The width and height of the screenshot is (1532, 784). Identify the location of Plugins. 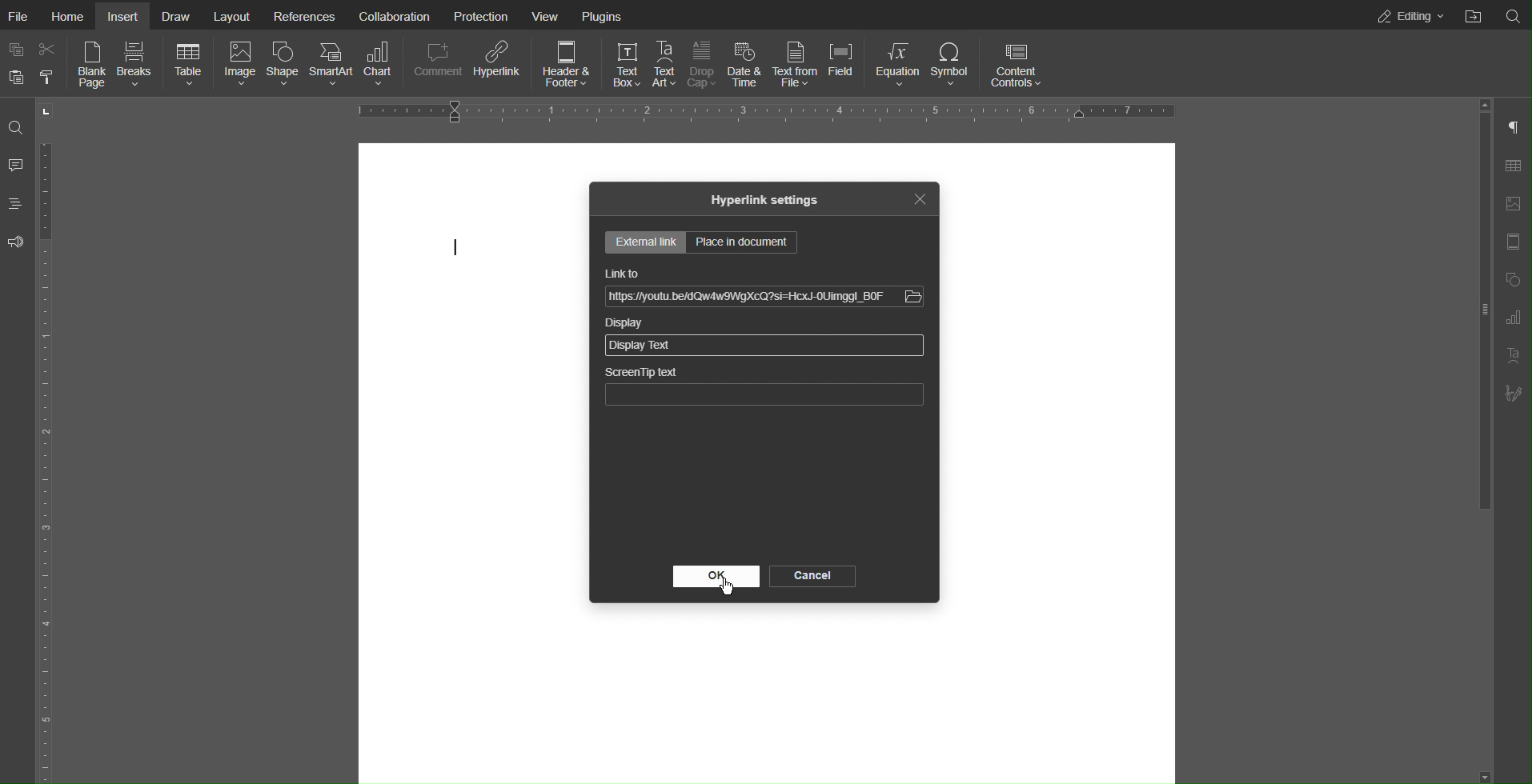
(603, 15).